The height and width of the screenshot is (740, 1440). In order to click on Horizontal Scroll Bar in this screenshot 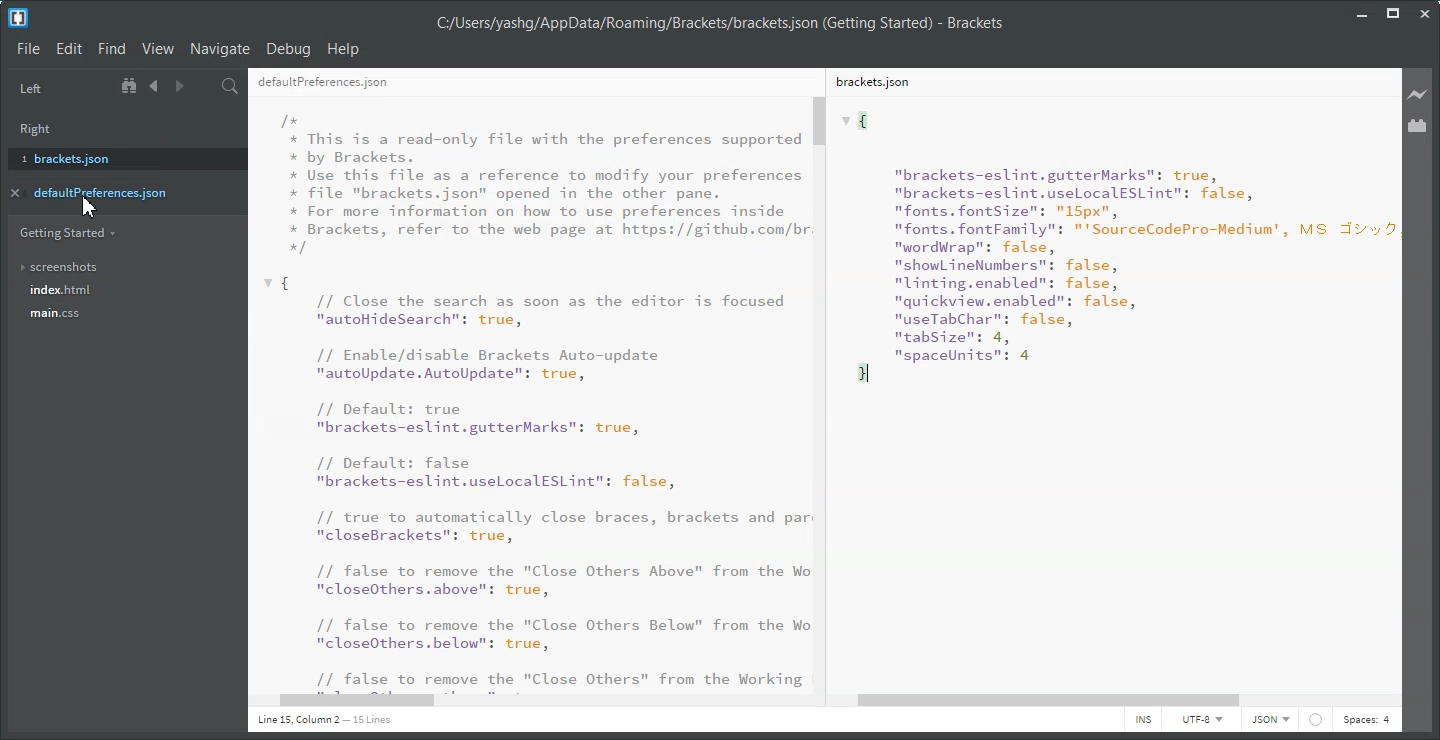, I will do `click(526, 701)`.